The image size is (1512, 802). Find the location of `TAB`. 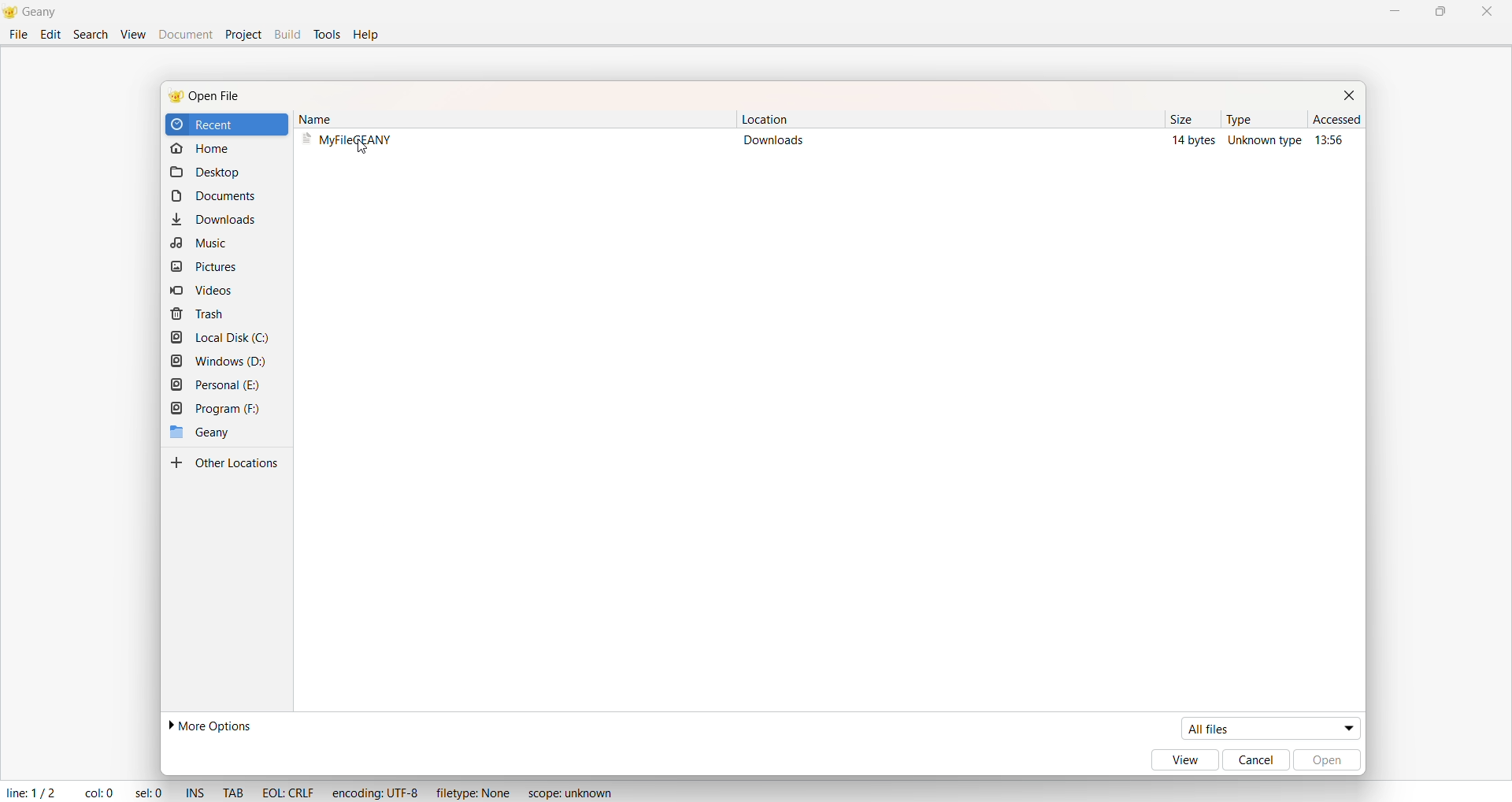

TAB is located at coordinates (235, 790).